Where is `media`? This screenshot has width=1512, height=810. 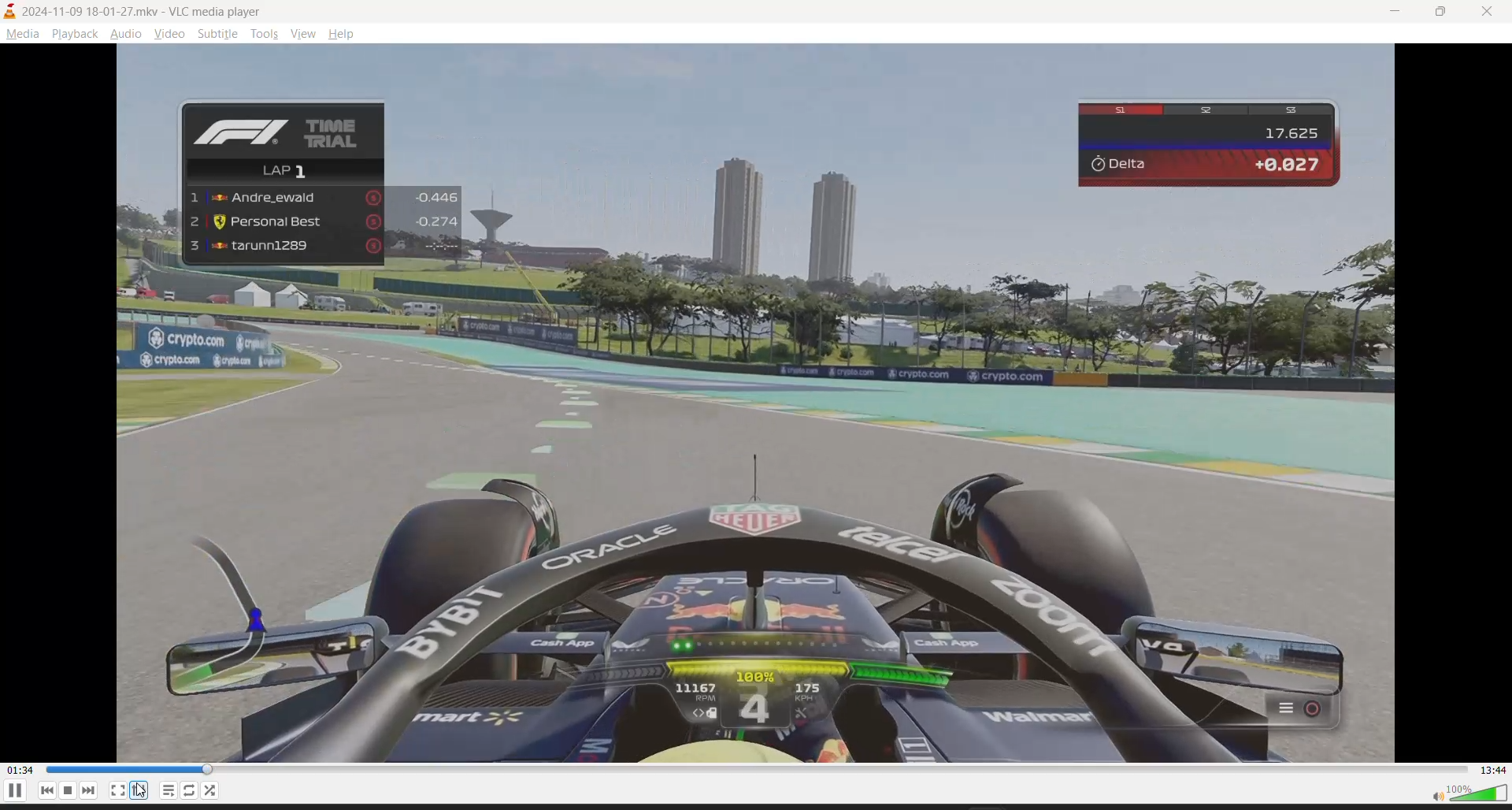
media is located at coordinates (23, 34).